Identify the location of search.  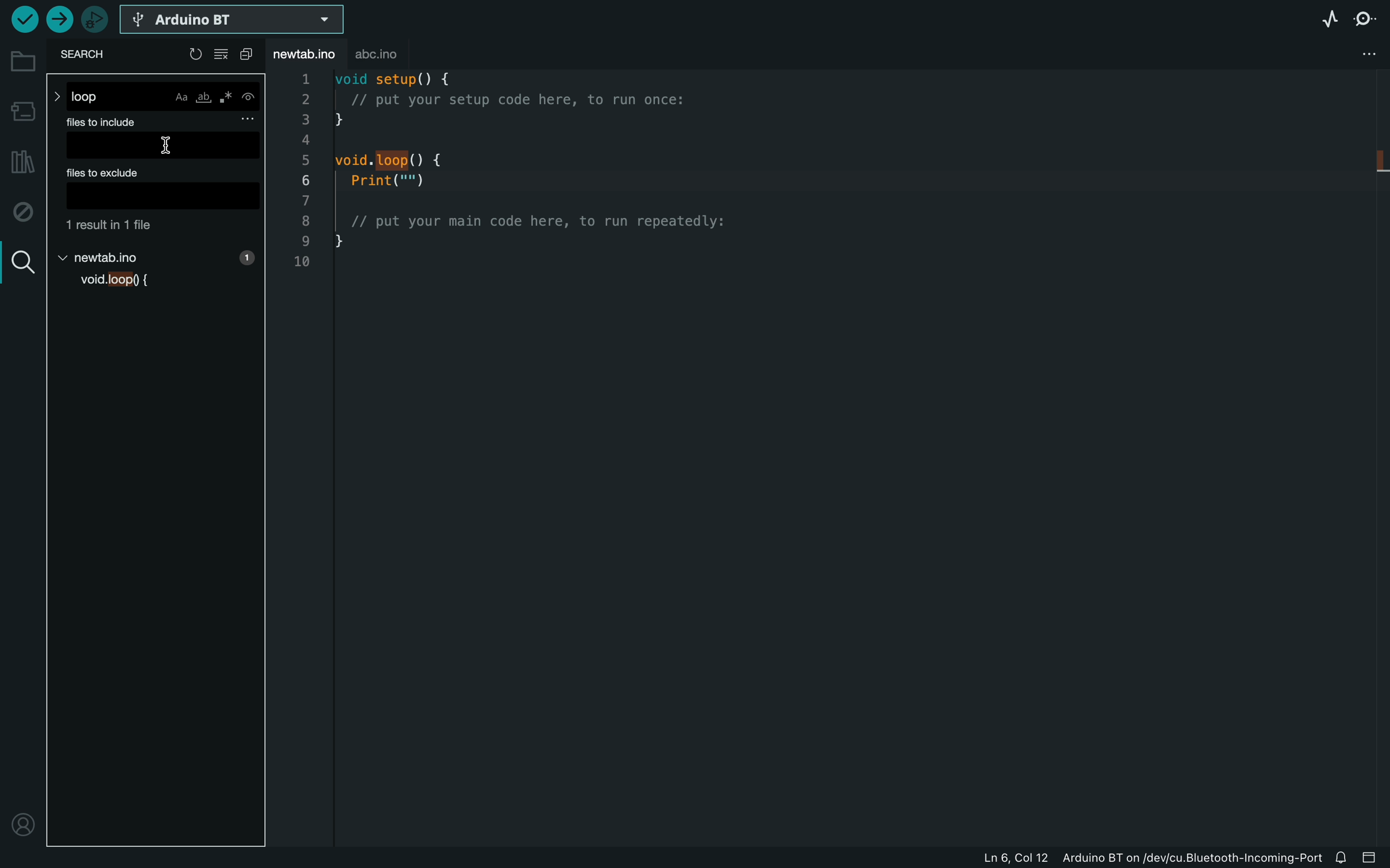
(89, 55).